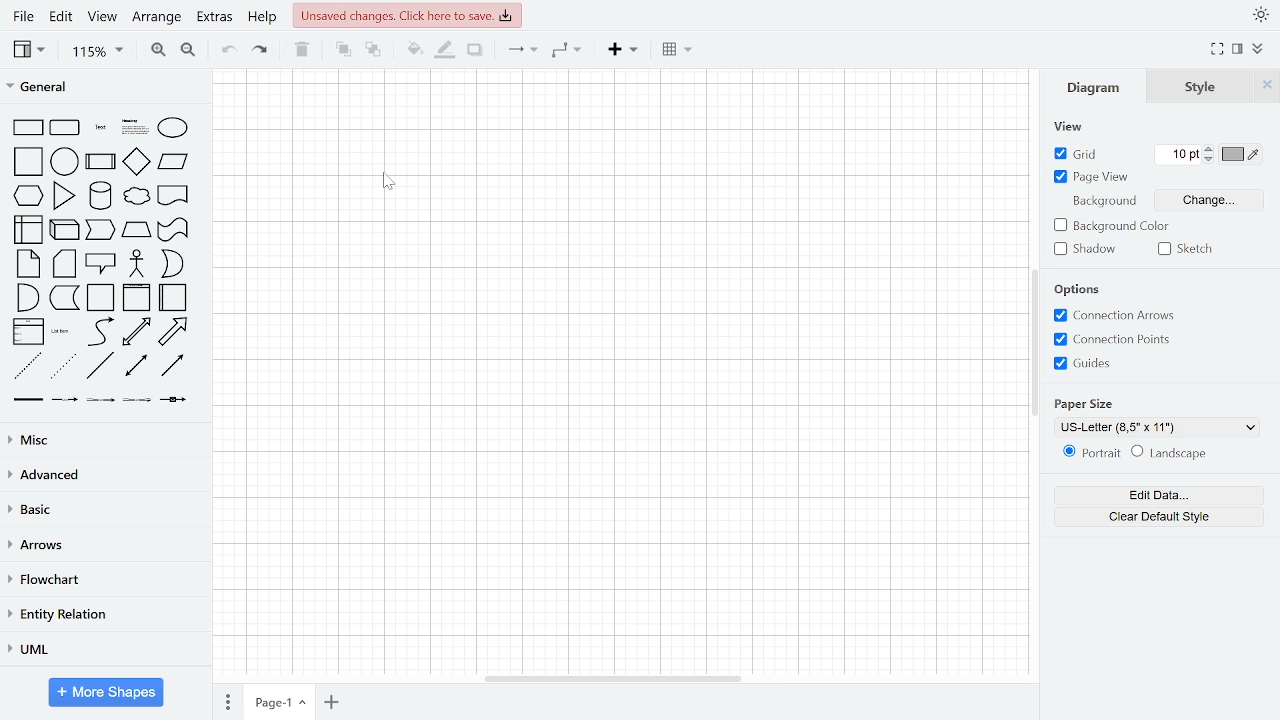 The image size is (1280, 720). I want to click on view, so click(1072, 128).